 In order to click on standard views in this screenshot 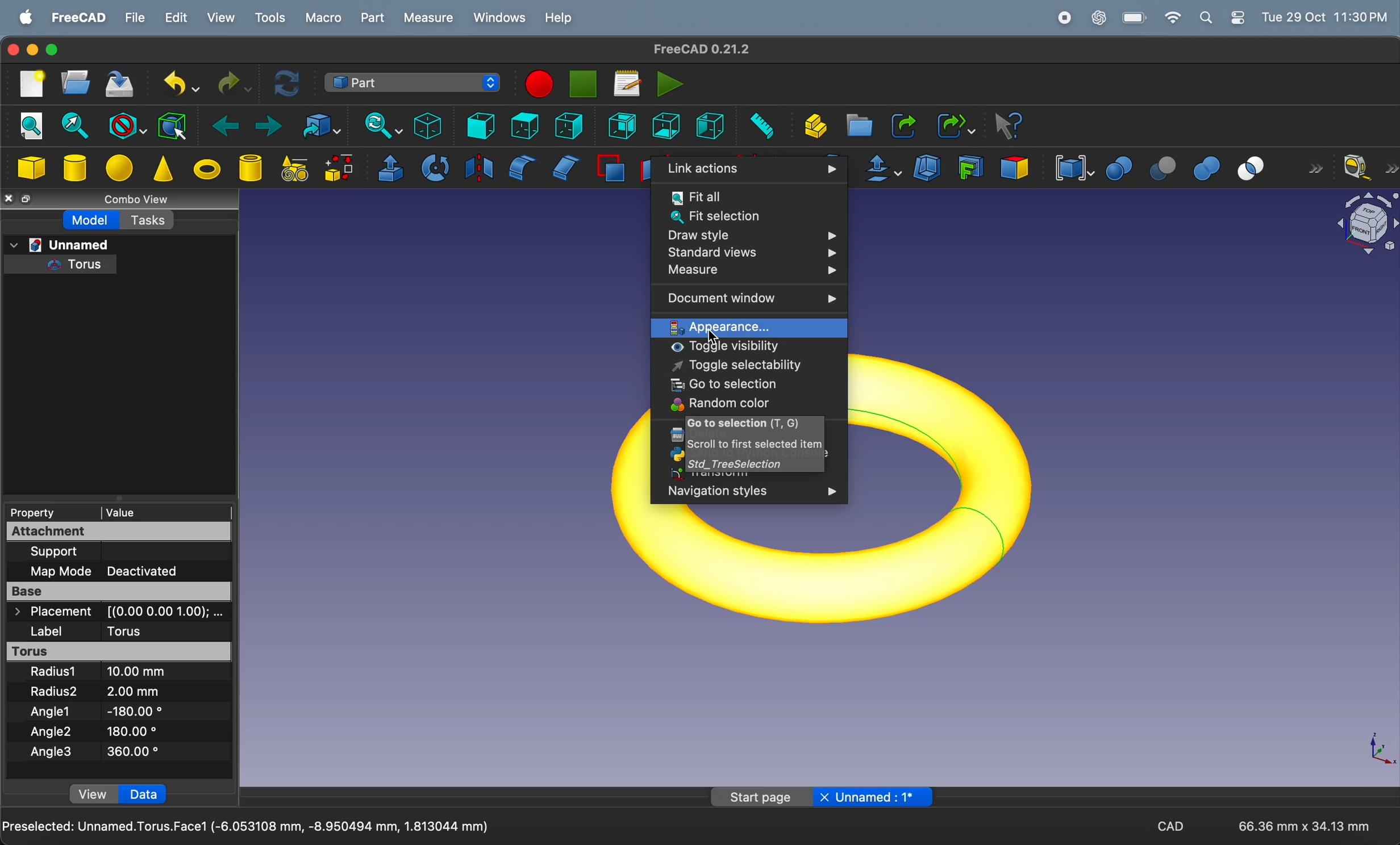, I will do `click(748, 253)`.